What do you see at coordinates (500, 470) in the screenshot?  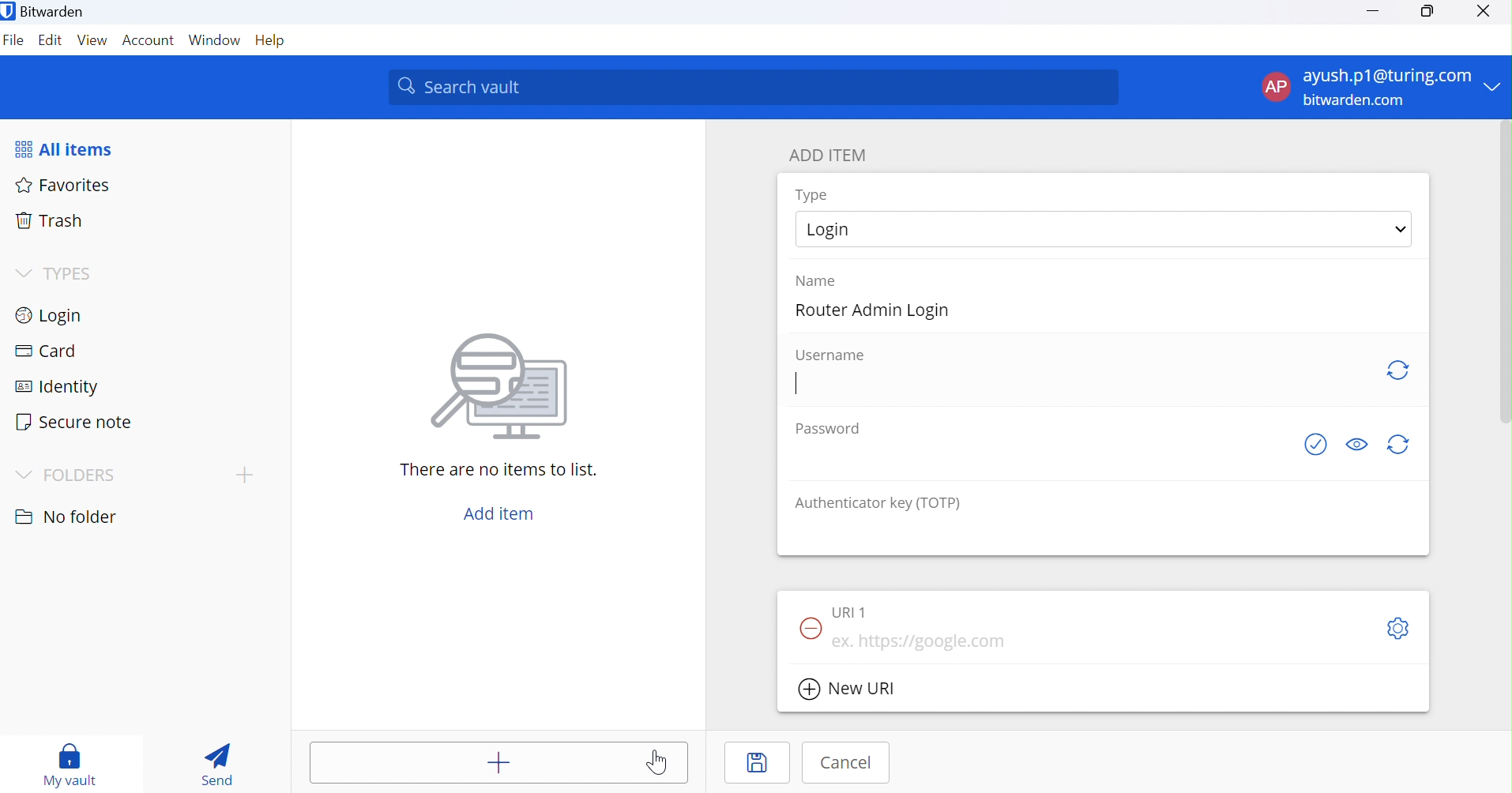 I see `There are no items to list.` at bounding box center [500, 470].